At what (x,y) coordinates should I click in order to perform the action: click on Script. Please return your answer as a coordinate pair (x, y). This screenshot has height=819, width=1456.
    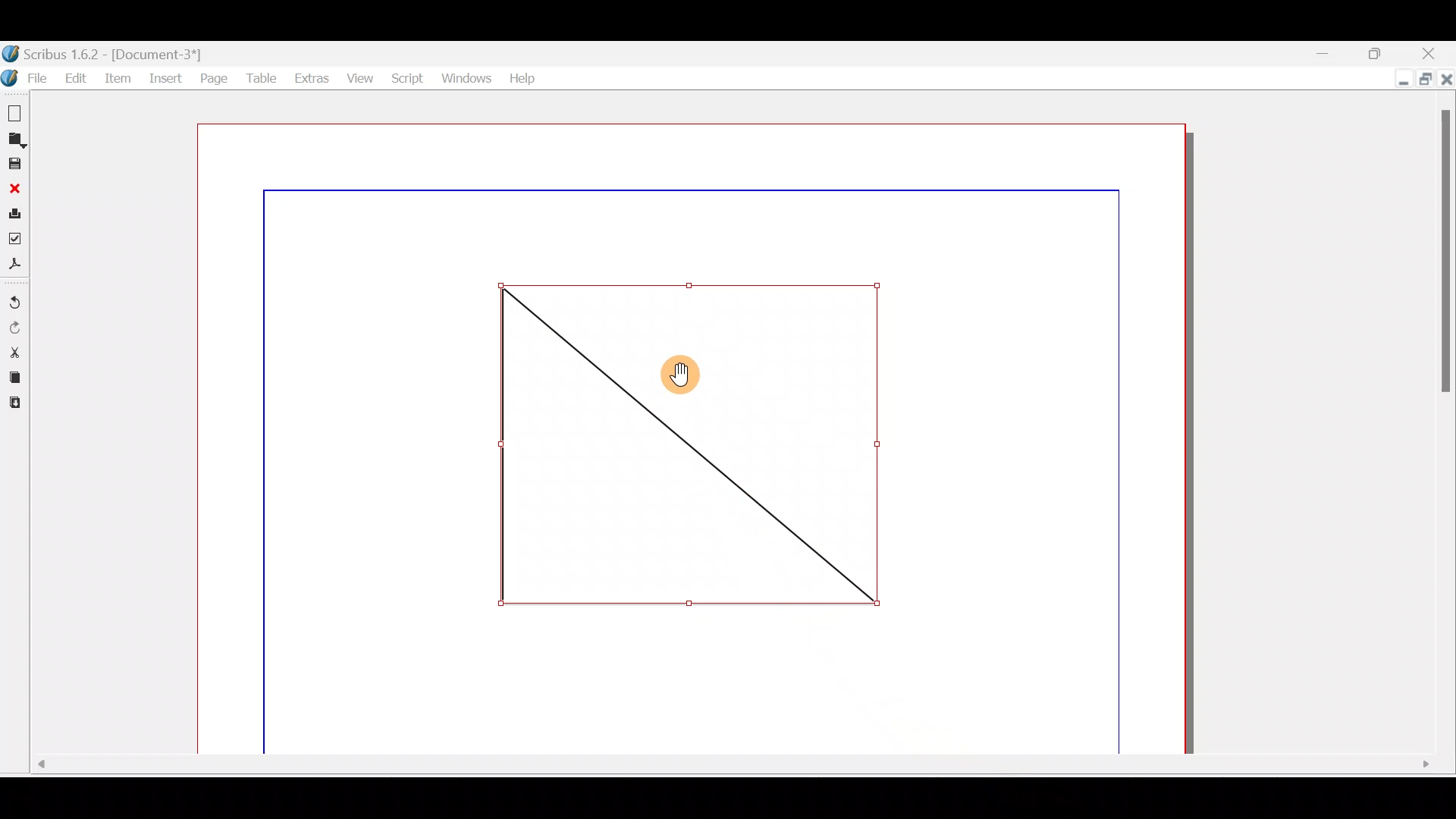
    Looking at the image, I should click on (406, 78).